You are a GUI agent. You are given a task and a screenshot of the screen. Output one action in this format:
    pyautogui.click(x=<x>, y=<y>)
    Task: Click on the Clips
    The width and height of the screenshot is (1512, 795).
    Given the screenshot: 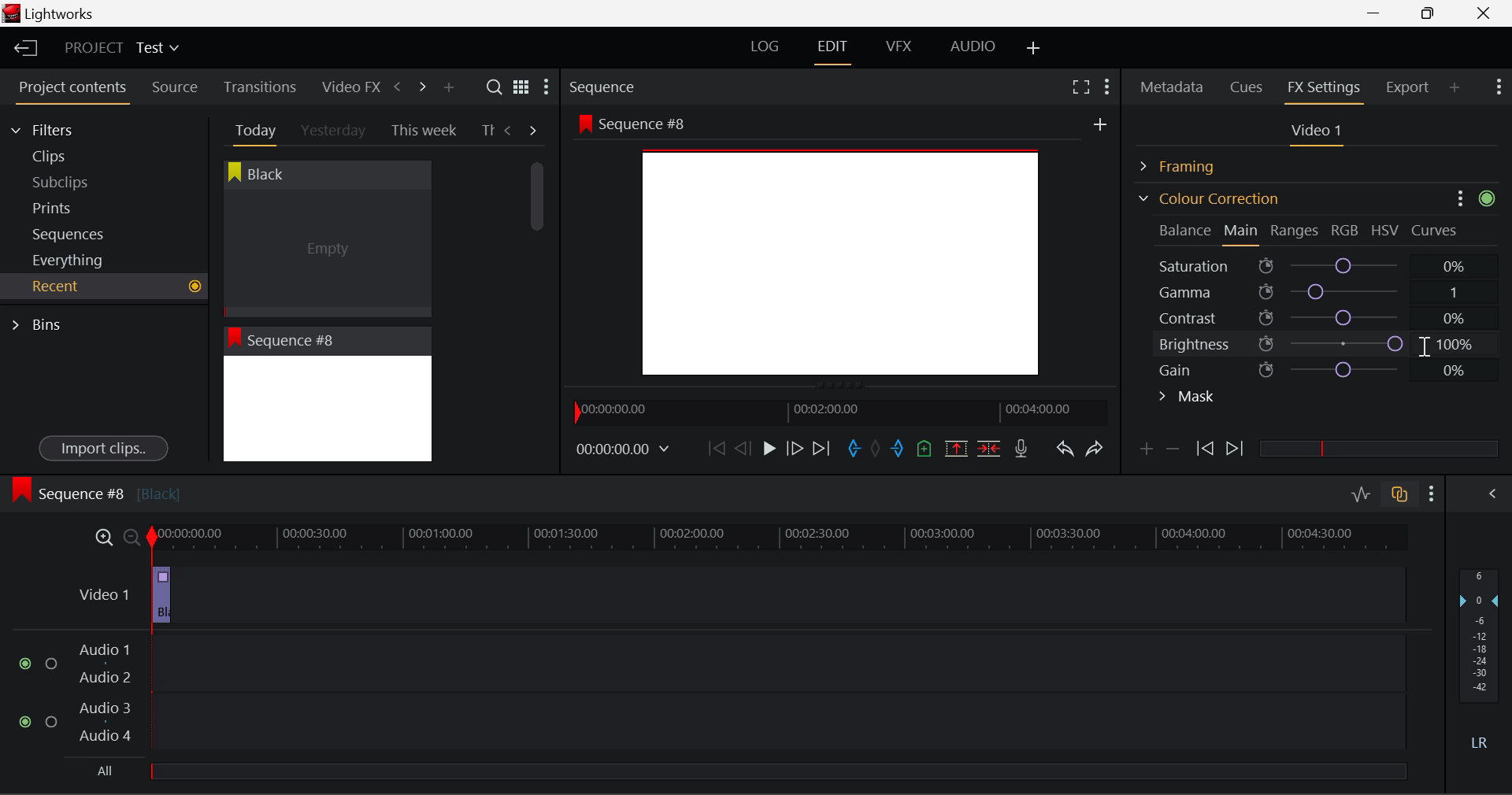 What is the action you would take?
    pyautogui.click(x=77, y=156)
    